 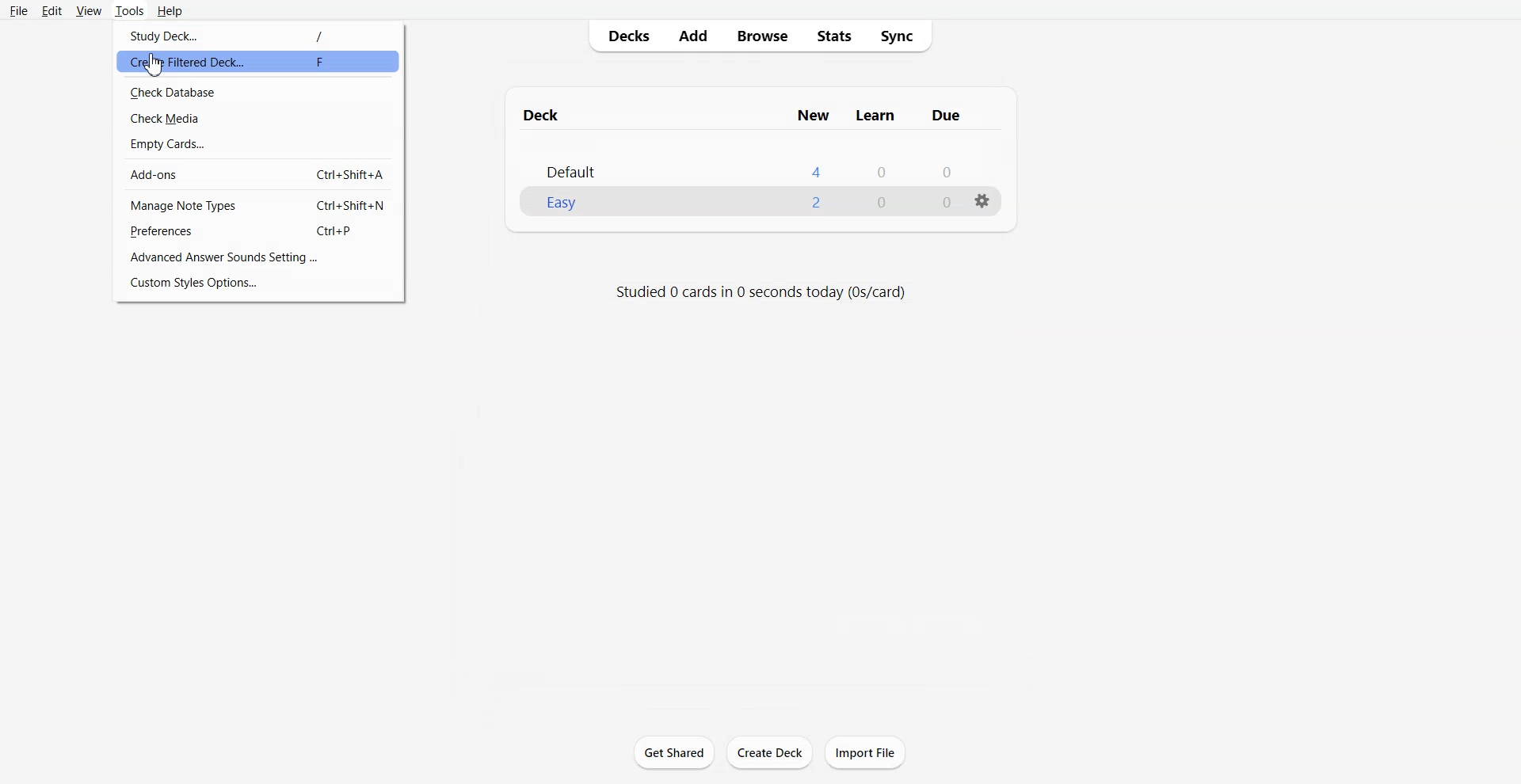 I want to click on Custom Style Options, so click(x=260, y=283).